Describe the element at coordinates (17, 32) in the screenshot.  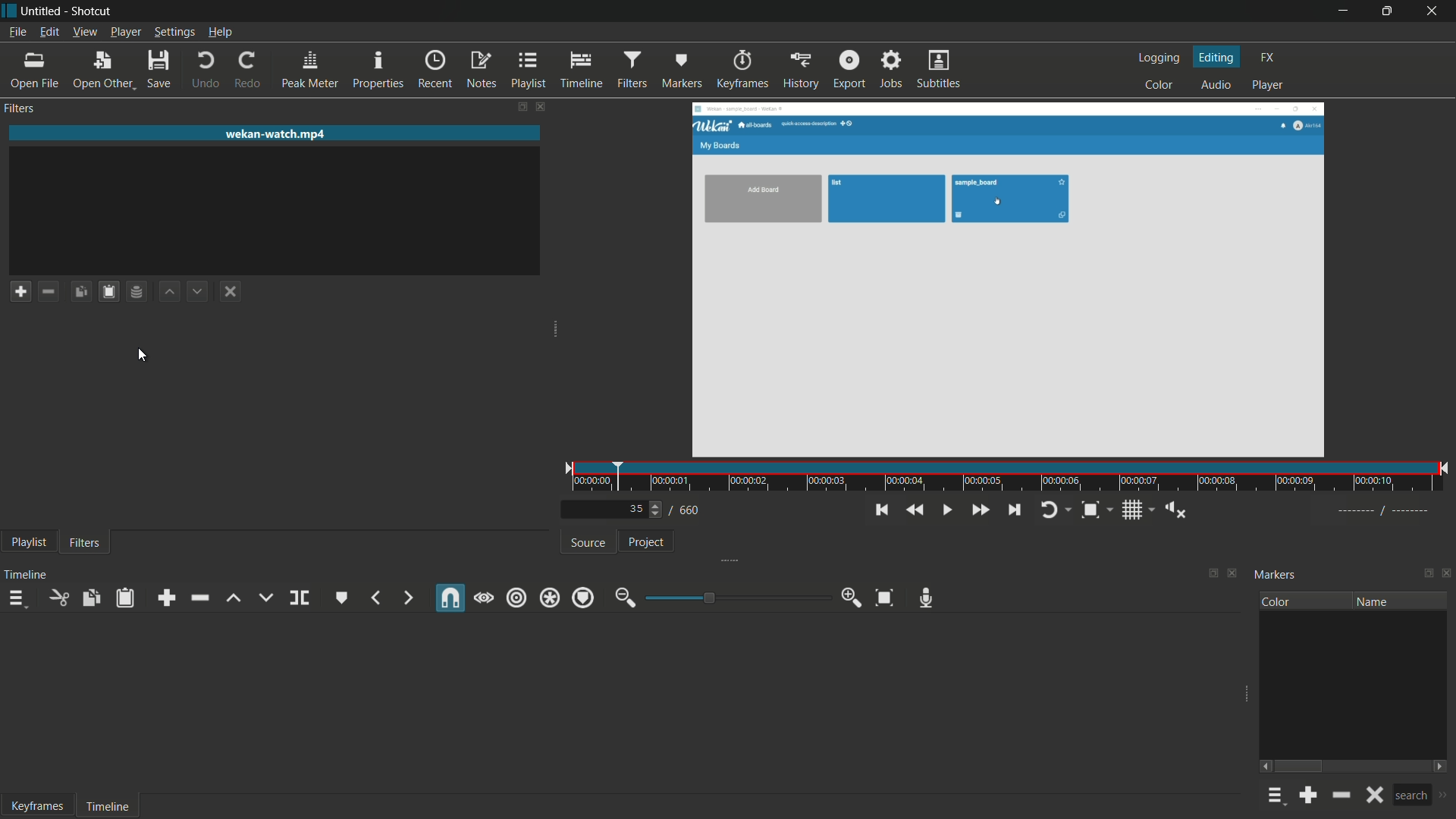
I see `file menu` at that location.